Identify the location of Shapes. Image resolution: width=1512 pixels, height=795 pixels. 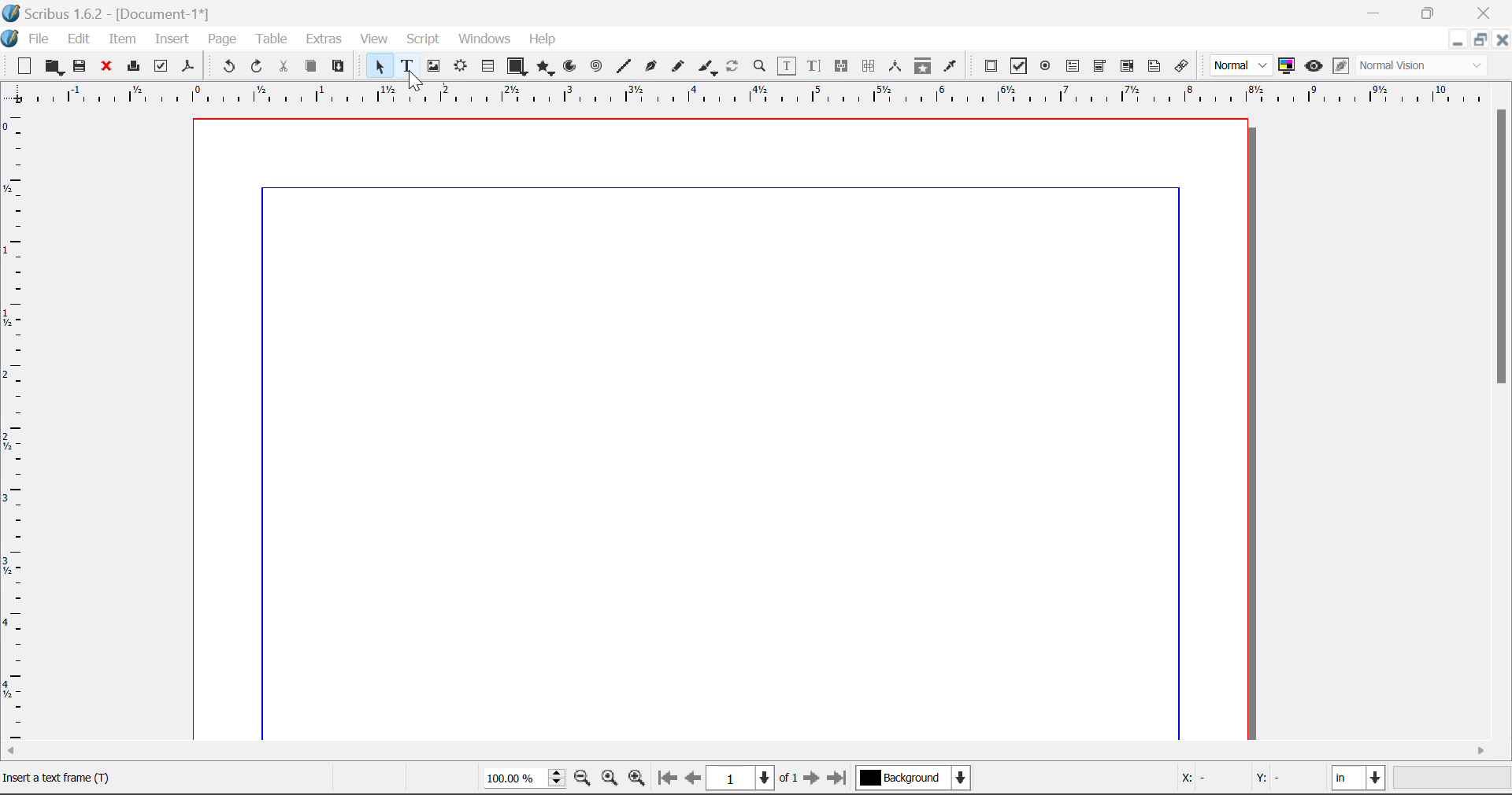
(517, 65).